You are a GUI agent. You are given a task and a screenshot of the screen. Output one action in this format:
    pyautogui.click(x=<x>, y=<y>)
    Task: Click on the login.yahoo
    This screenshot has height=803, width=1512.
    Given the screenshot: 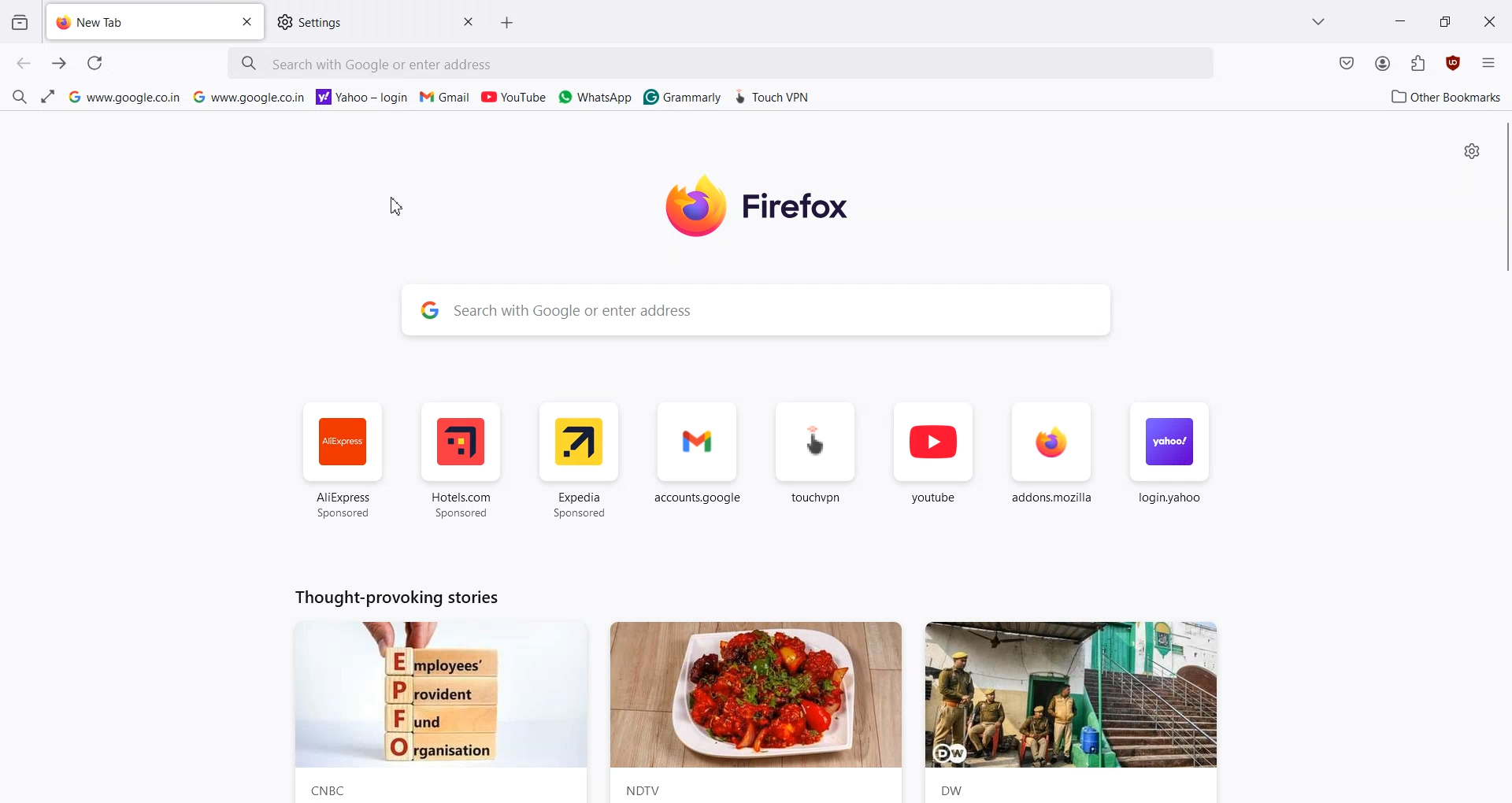 What is the action you would take?
    pyautogui.click(x=1168, y=462)
    